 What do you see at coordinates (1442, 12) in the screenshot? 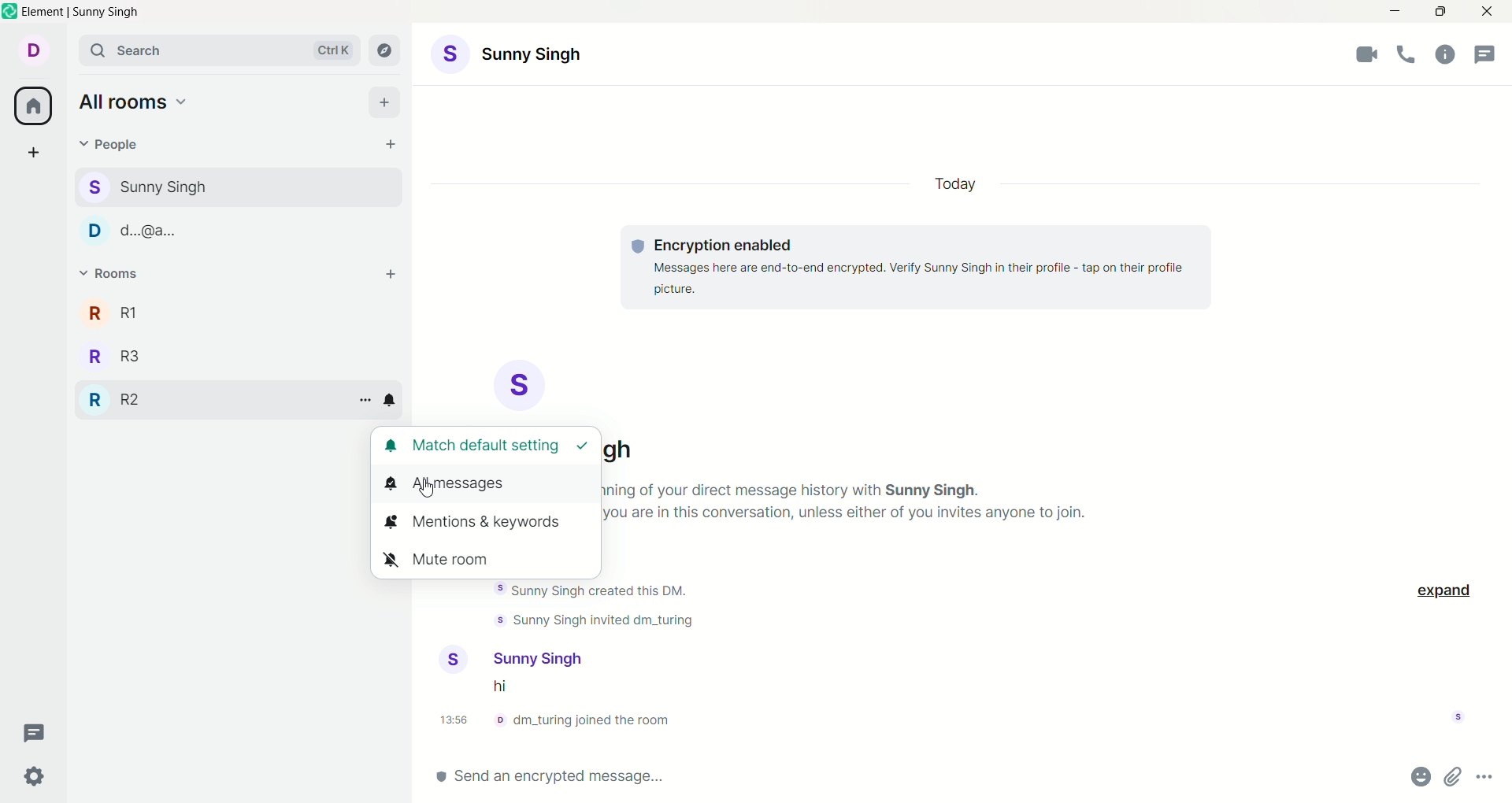
I see `maximize` at bounding box center [1442, 12].